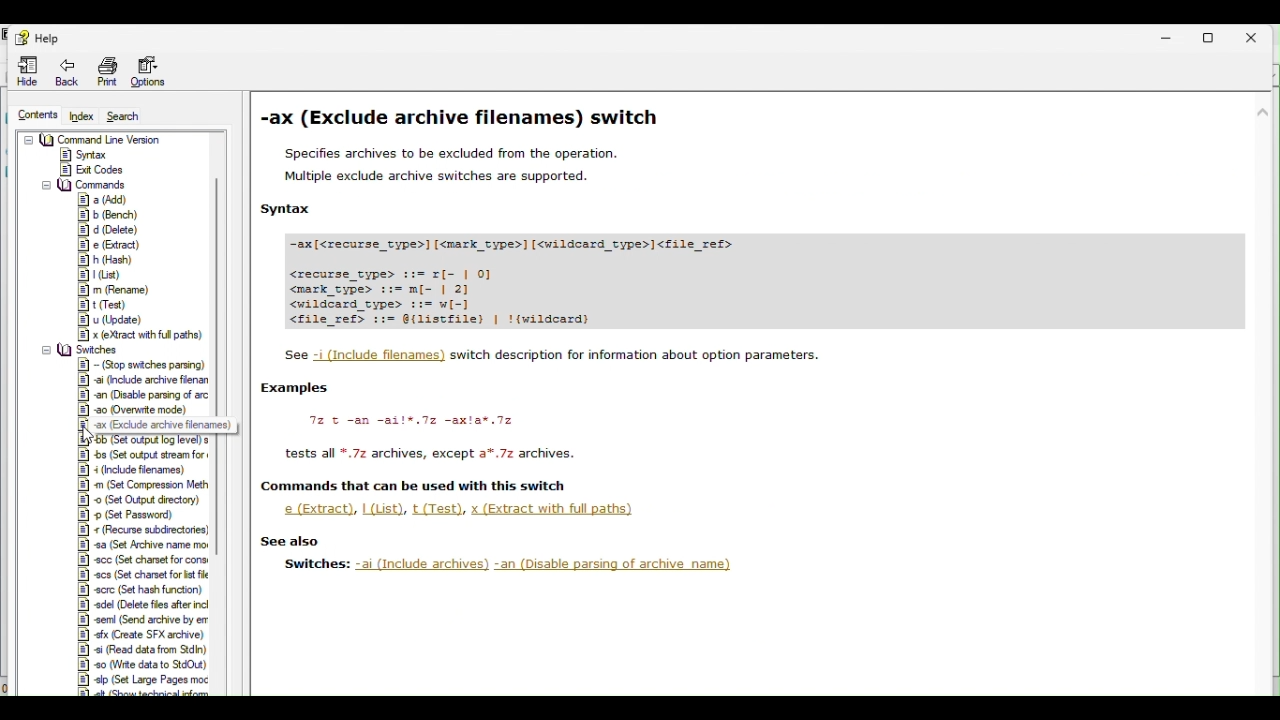 Image resolution: width=1280 pixels, height=720 pixels. What do you see at coordinates (86, 184) in the screenshot?
I see `= (3 Commands` at bounding box center [86, 184].